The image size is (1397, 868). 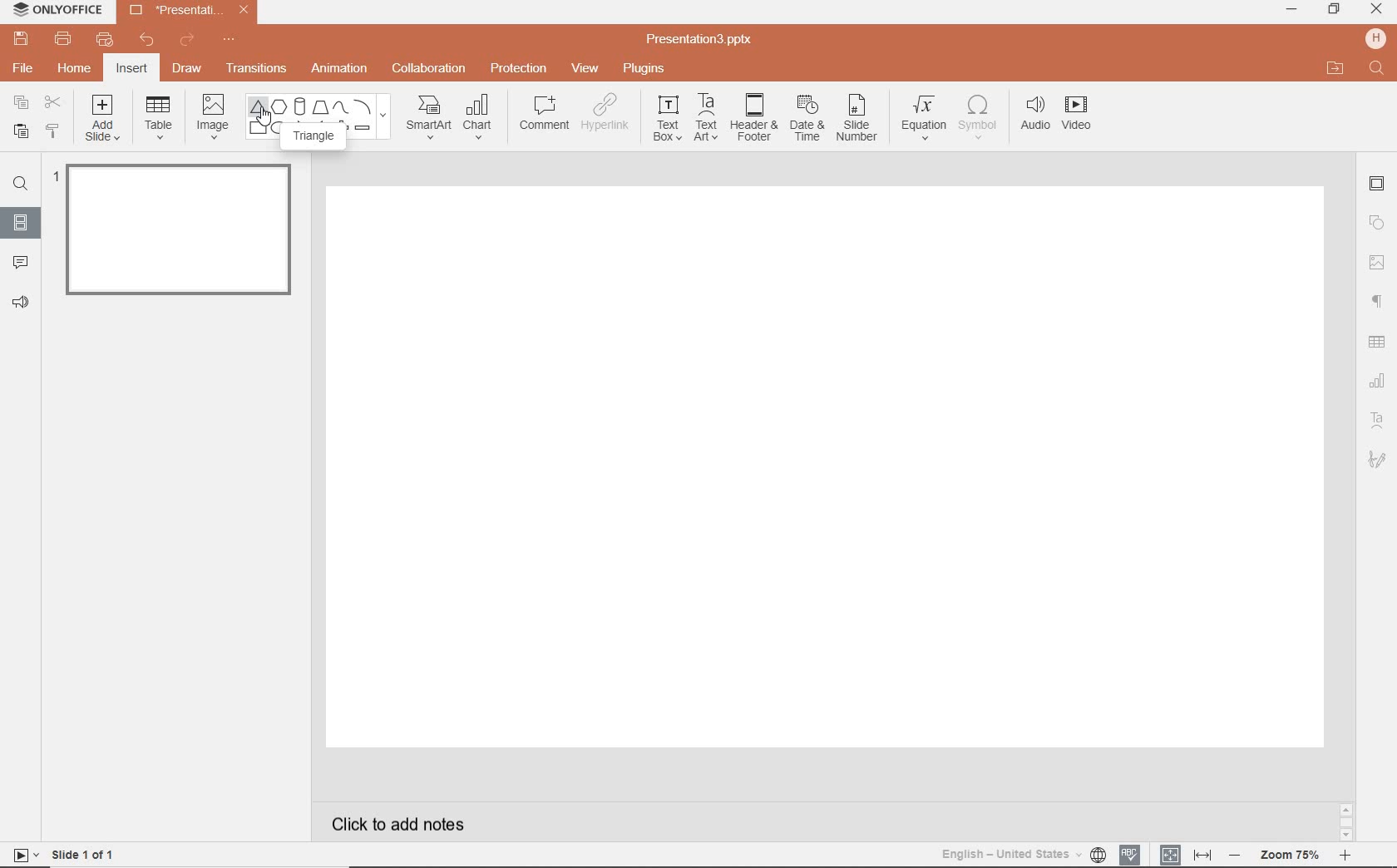 What do you see at coordinates (105, 121) in the screenshot?
I see `ADD SLIDE` at bounding box center [105, 121].